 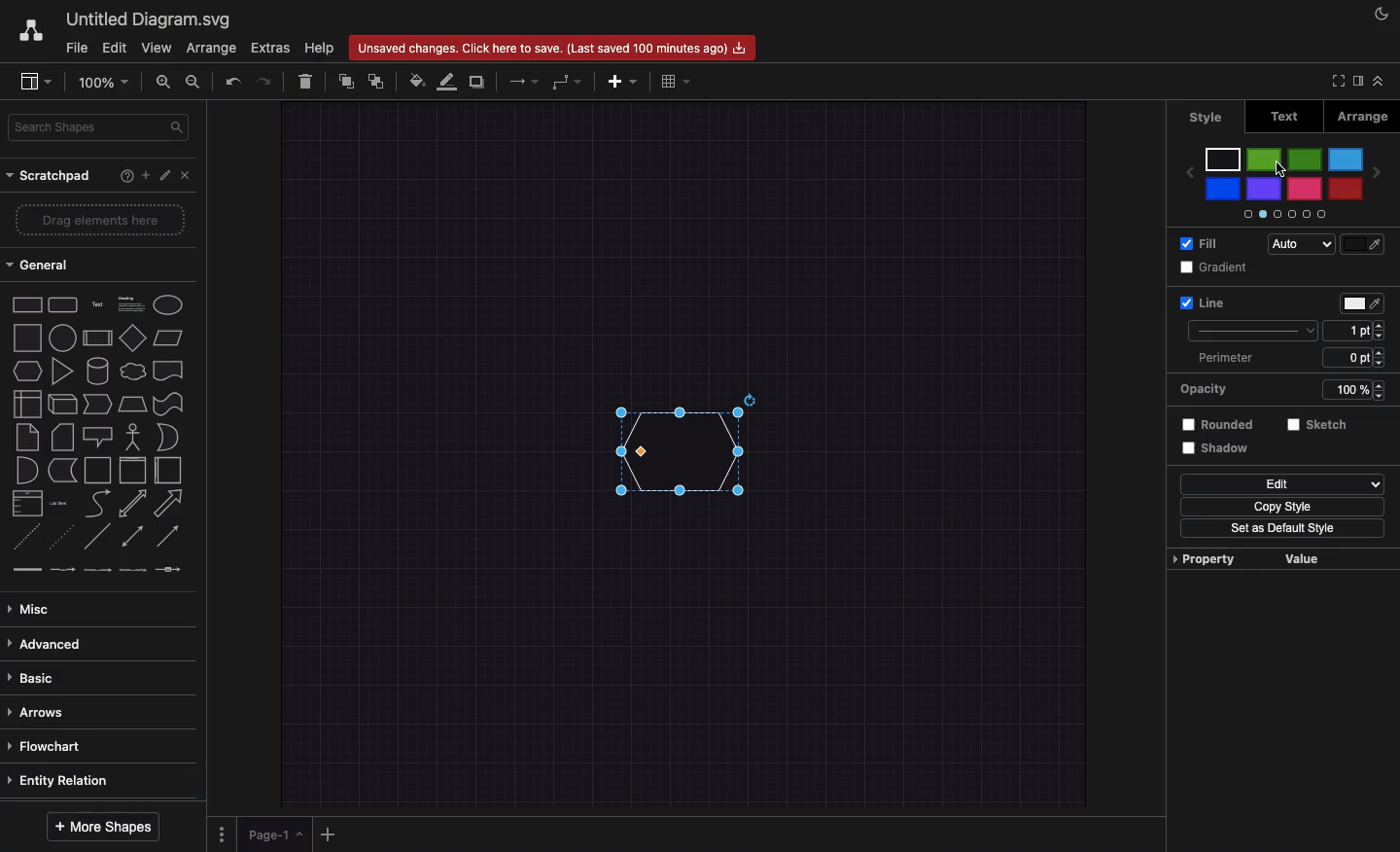 What do you see at coordinates (94, 434) in the screenshot?
I see `Shapes` at bounding box center [94, 434].